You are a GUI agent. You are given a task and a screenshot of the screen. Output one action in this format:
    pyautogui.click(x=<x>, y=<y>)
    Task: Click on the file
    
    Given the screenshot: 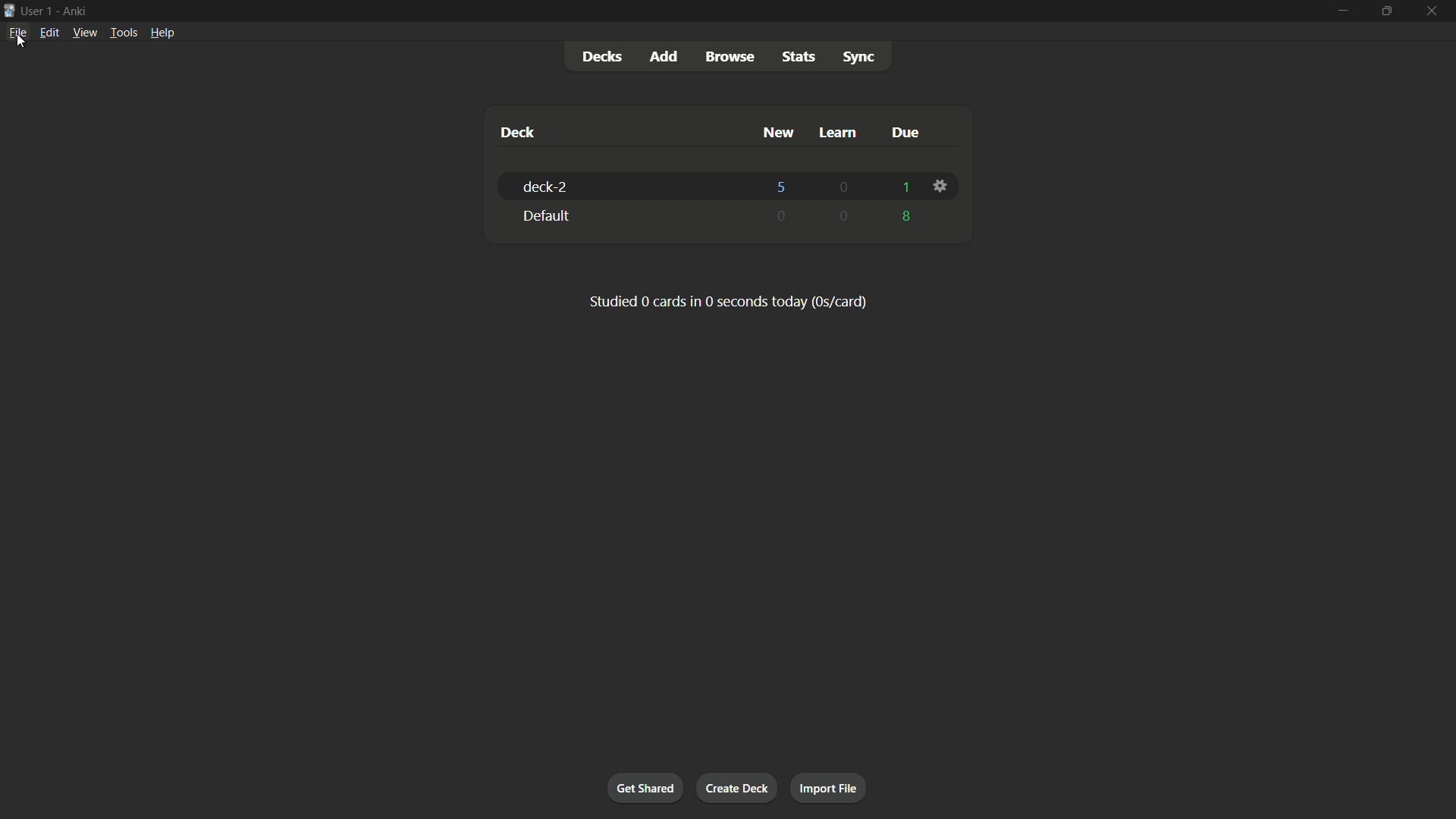 What is the action you would take?
    pyautogui.click(x=20, y=33)
    